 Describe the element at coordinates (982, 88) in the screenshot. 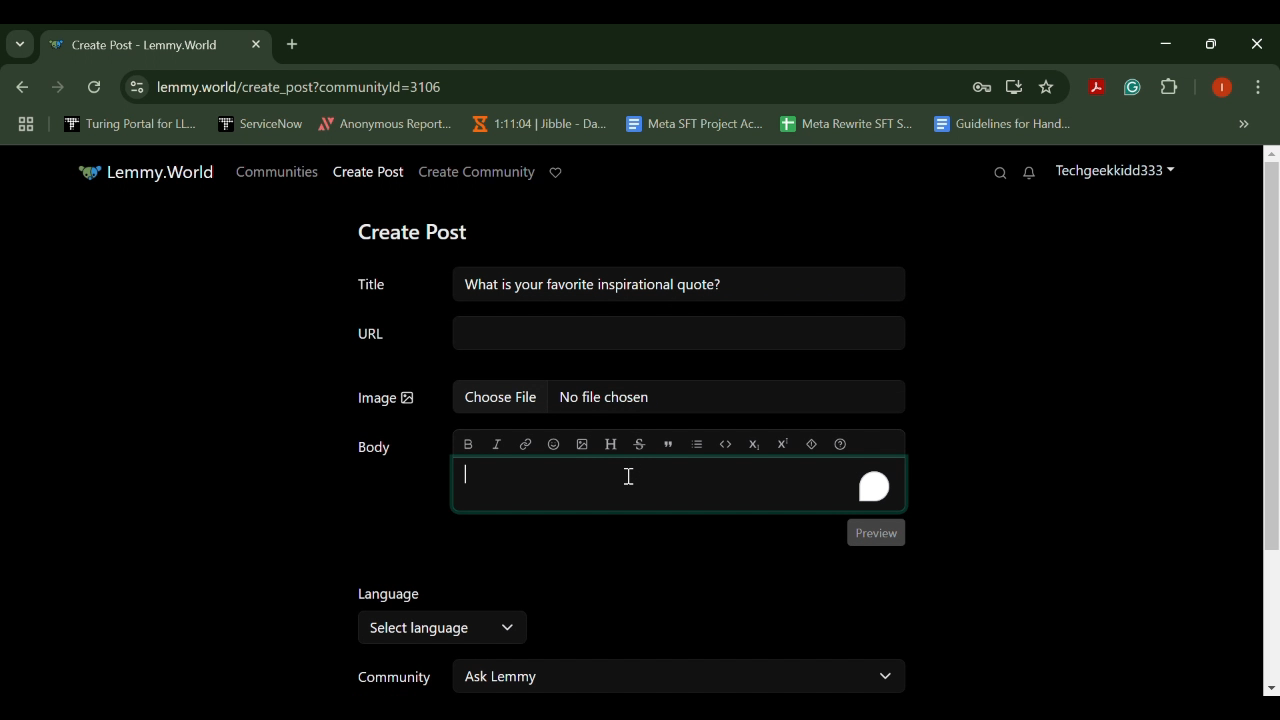

I see `Site Password Data Saved` at that location.